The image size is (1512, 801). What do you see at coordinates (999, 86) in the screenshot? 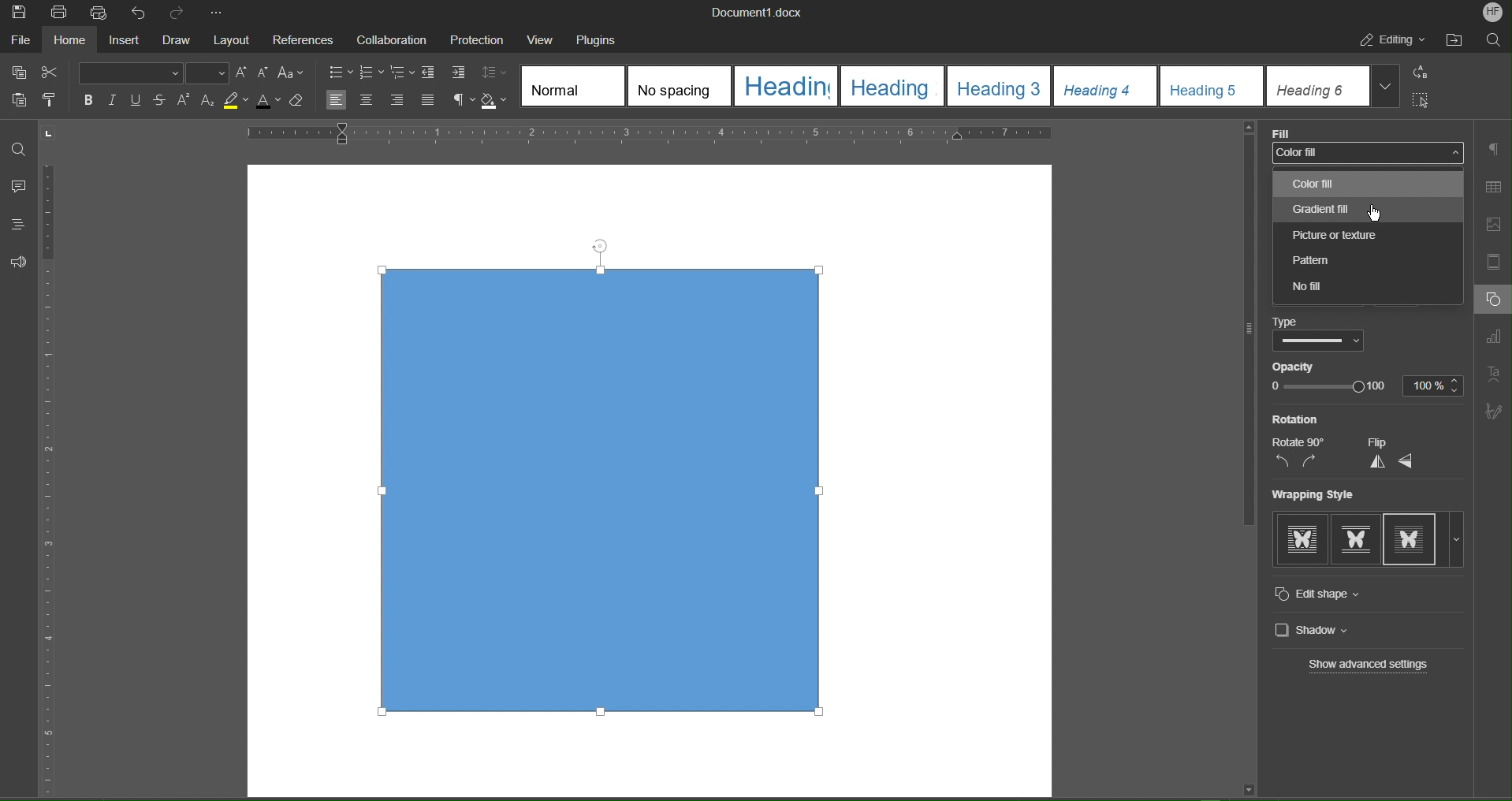
I see `Heading 3` at bounding box center [999, 86].